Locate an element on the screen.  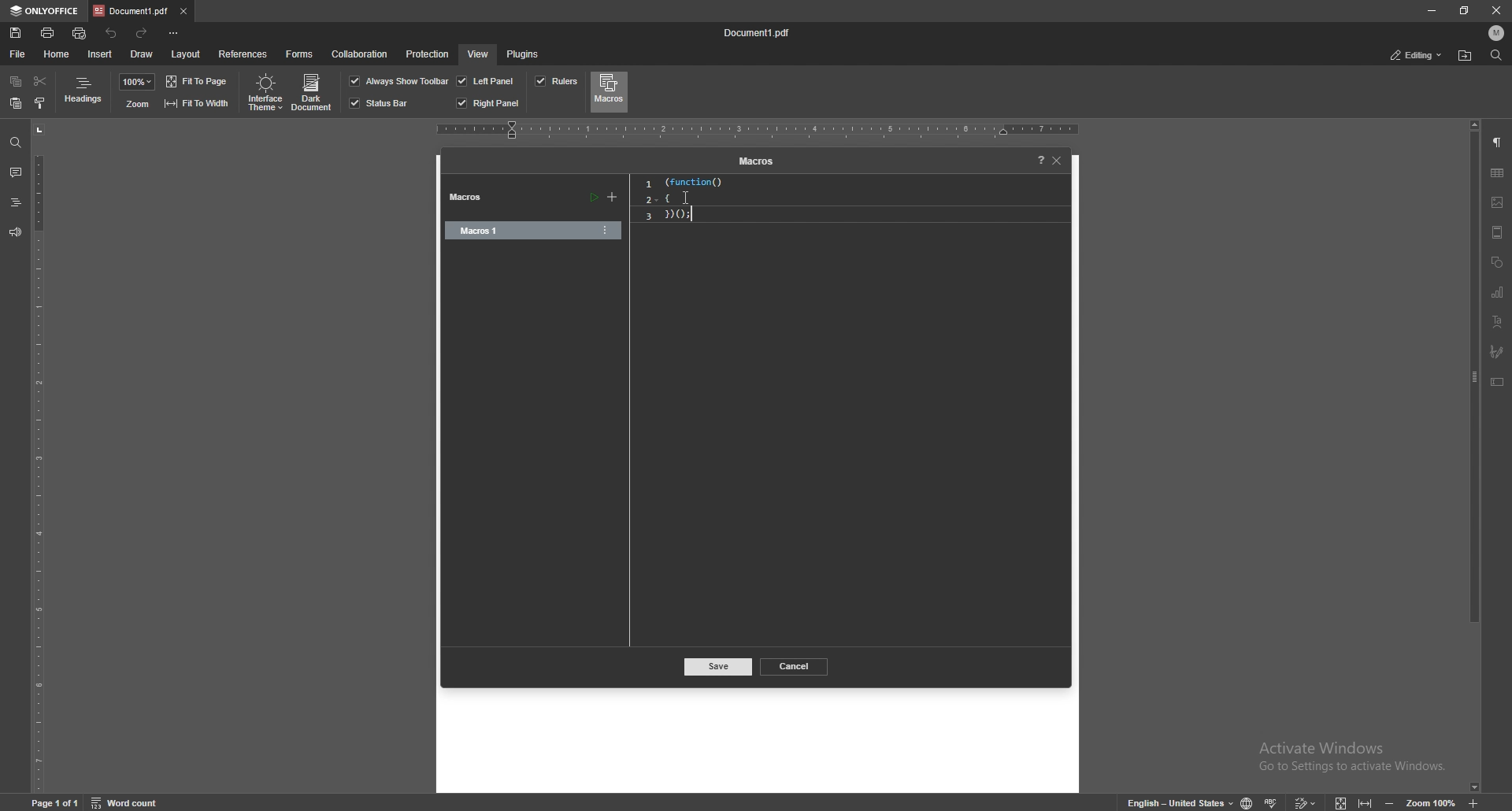
minimize is located at coordinates (1432, 11).